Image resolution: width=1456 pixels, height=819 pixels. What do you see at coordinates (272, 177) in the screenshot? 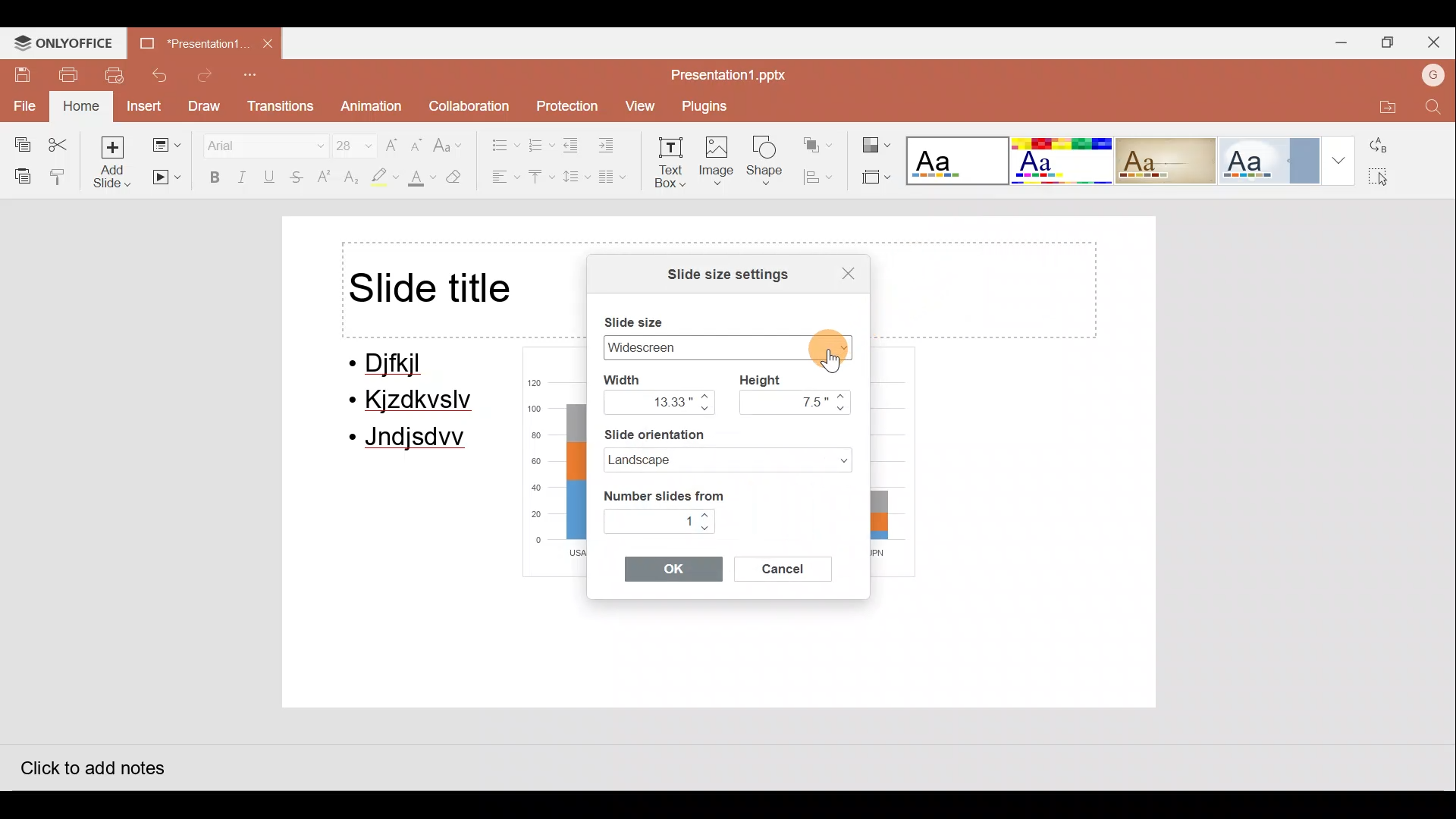
I see `Underline` at bounding box center [272, 177].